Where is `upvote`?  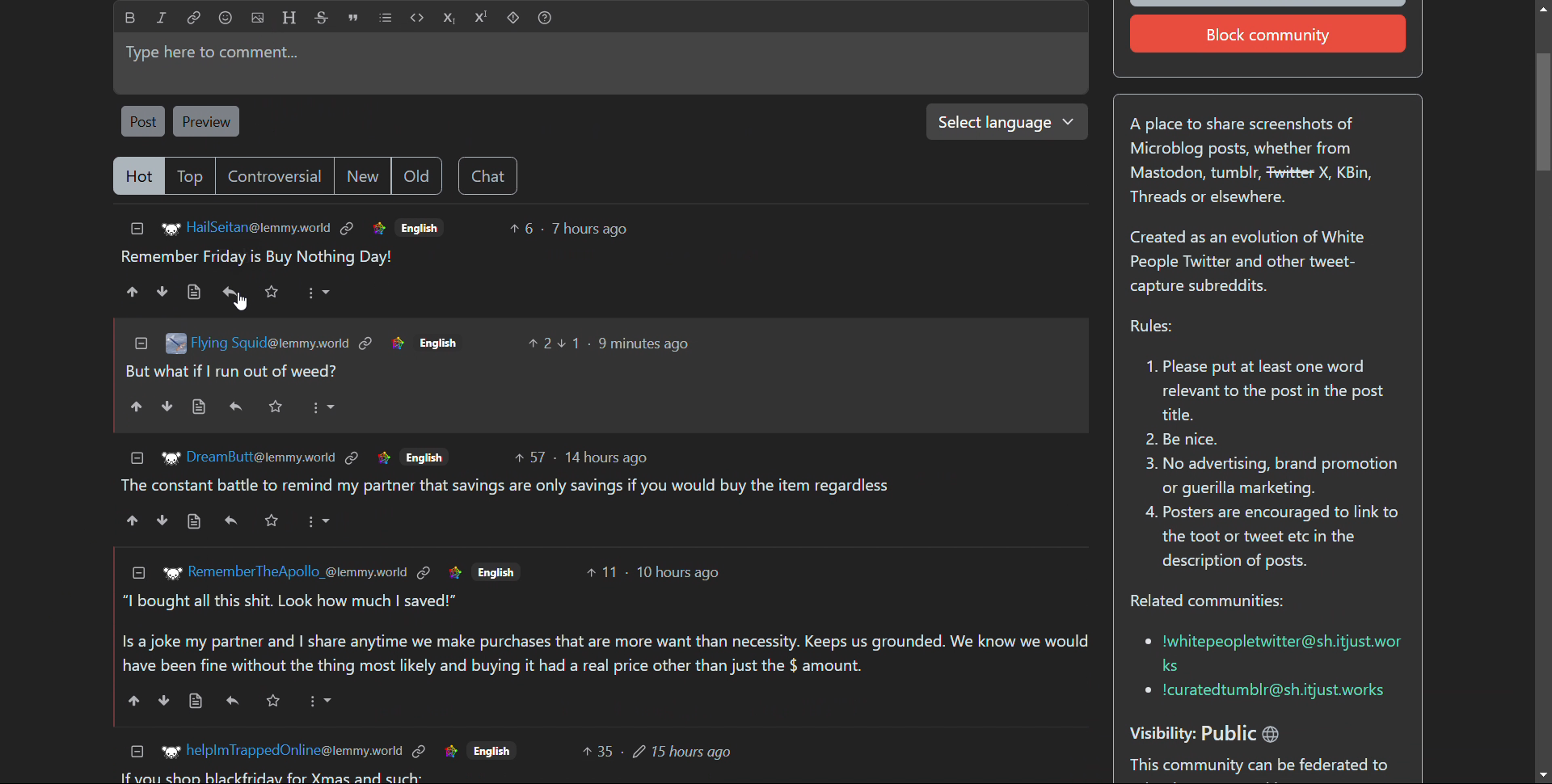 upvote is located at coordinates (131, 522).